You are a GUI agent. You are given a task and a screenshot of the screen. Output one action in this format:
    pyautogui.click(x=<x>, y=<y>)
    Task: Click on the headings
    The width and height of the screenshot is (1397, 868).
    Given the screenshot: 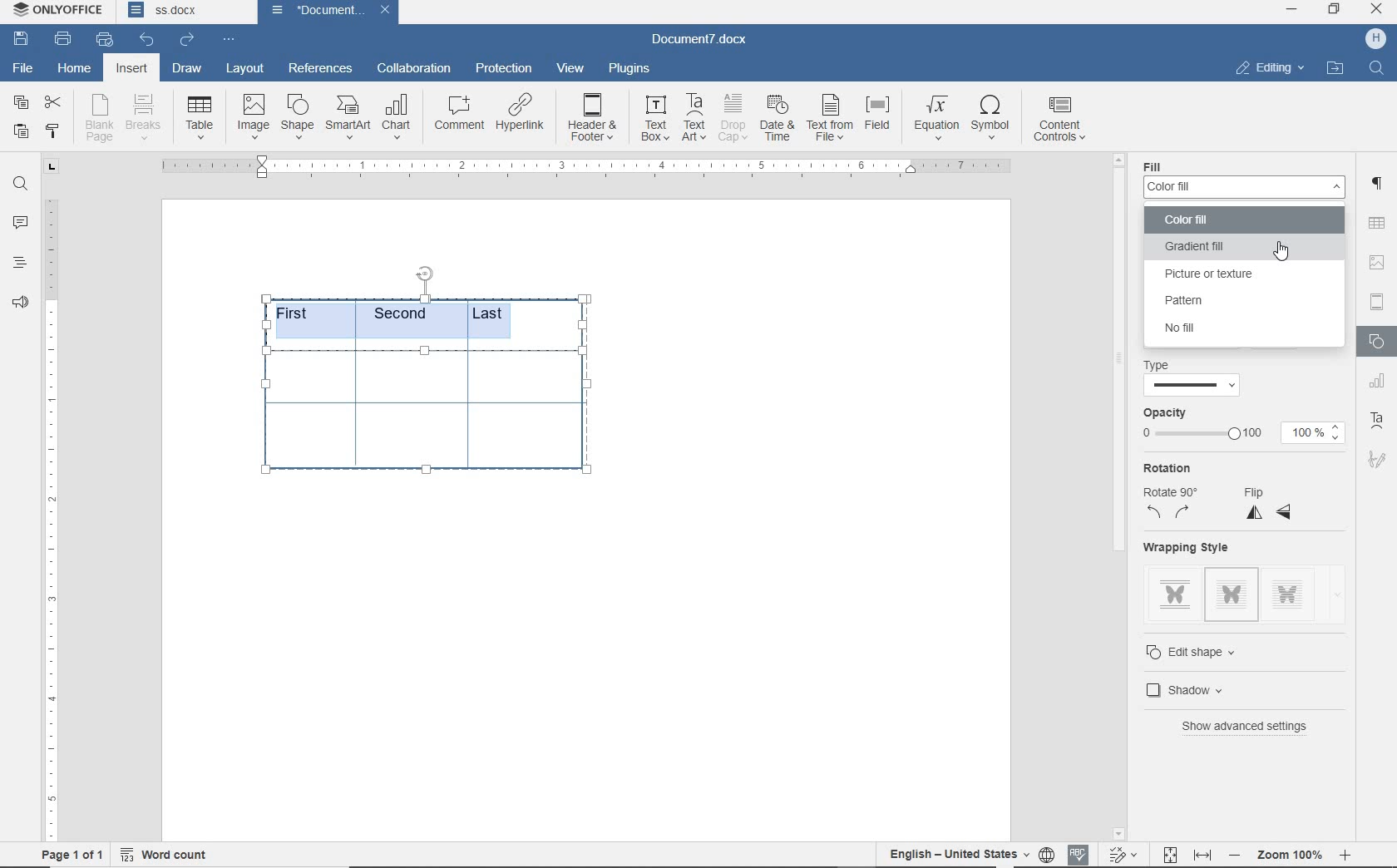 What is the action you would take?
    pyautogui.click(x=19, y=264)
    